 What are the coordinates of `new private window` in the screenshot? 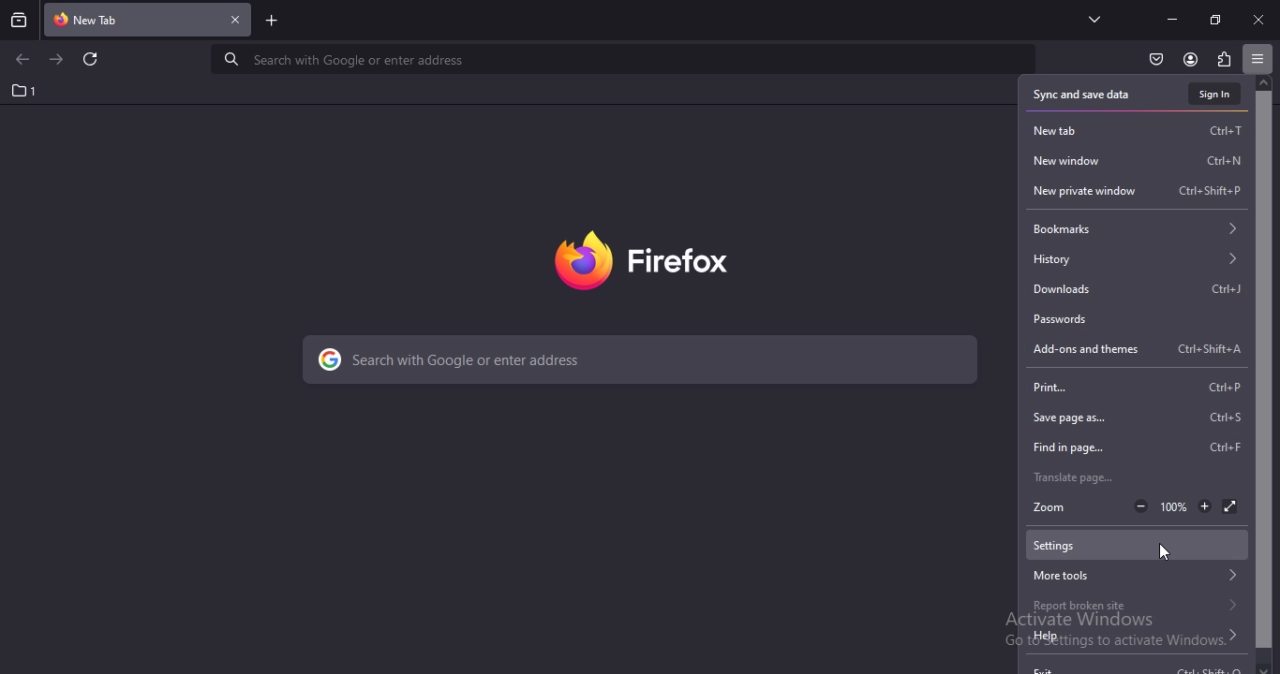 It's located at (1138, 189).